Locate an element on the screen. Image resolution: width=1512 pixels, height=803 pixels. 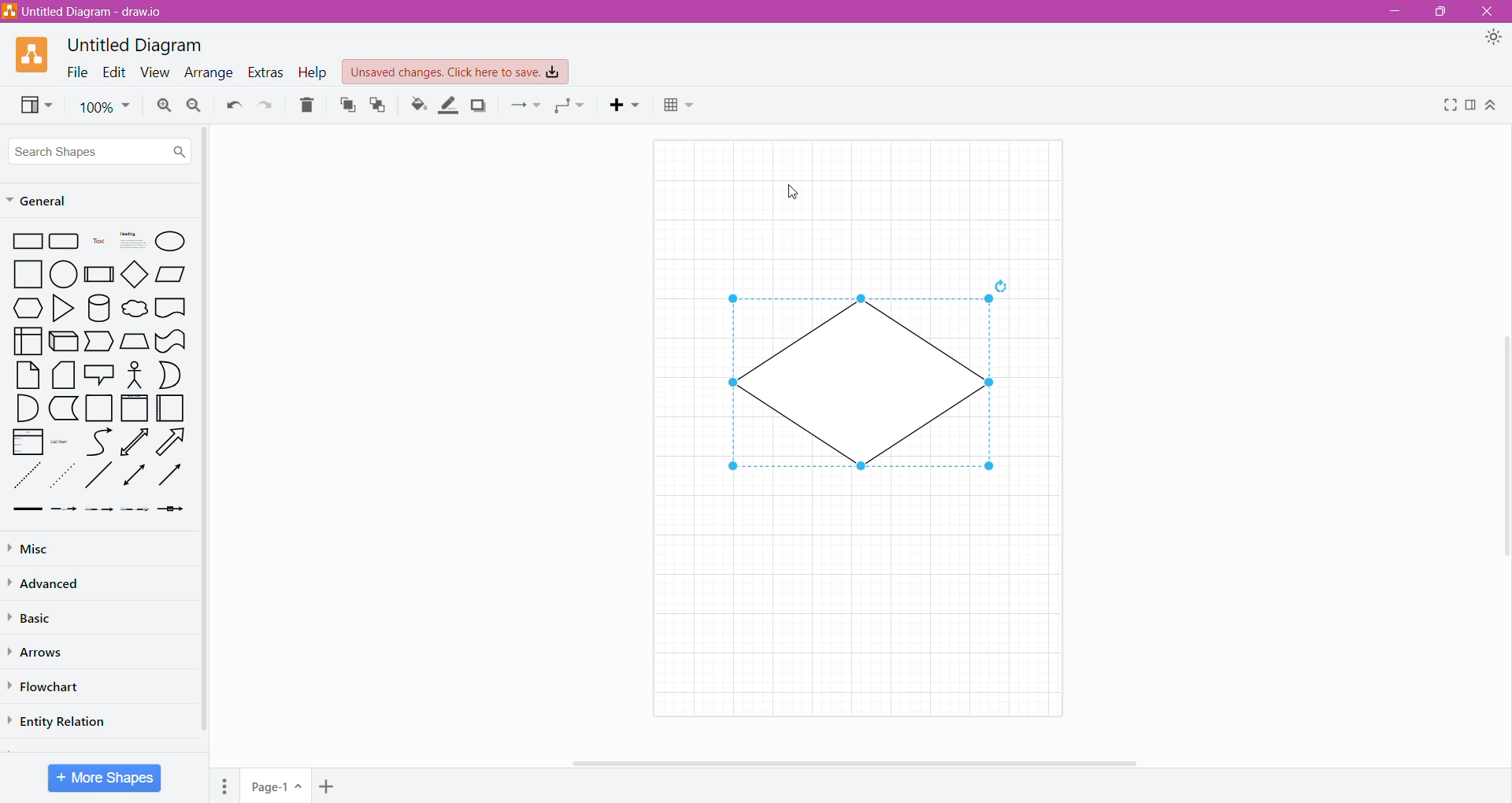
General is located at coordinates (46, 202).